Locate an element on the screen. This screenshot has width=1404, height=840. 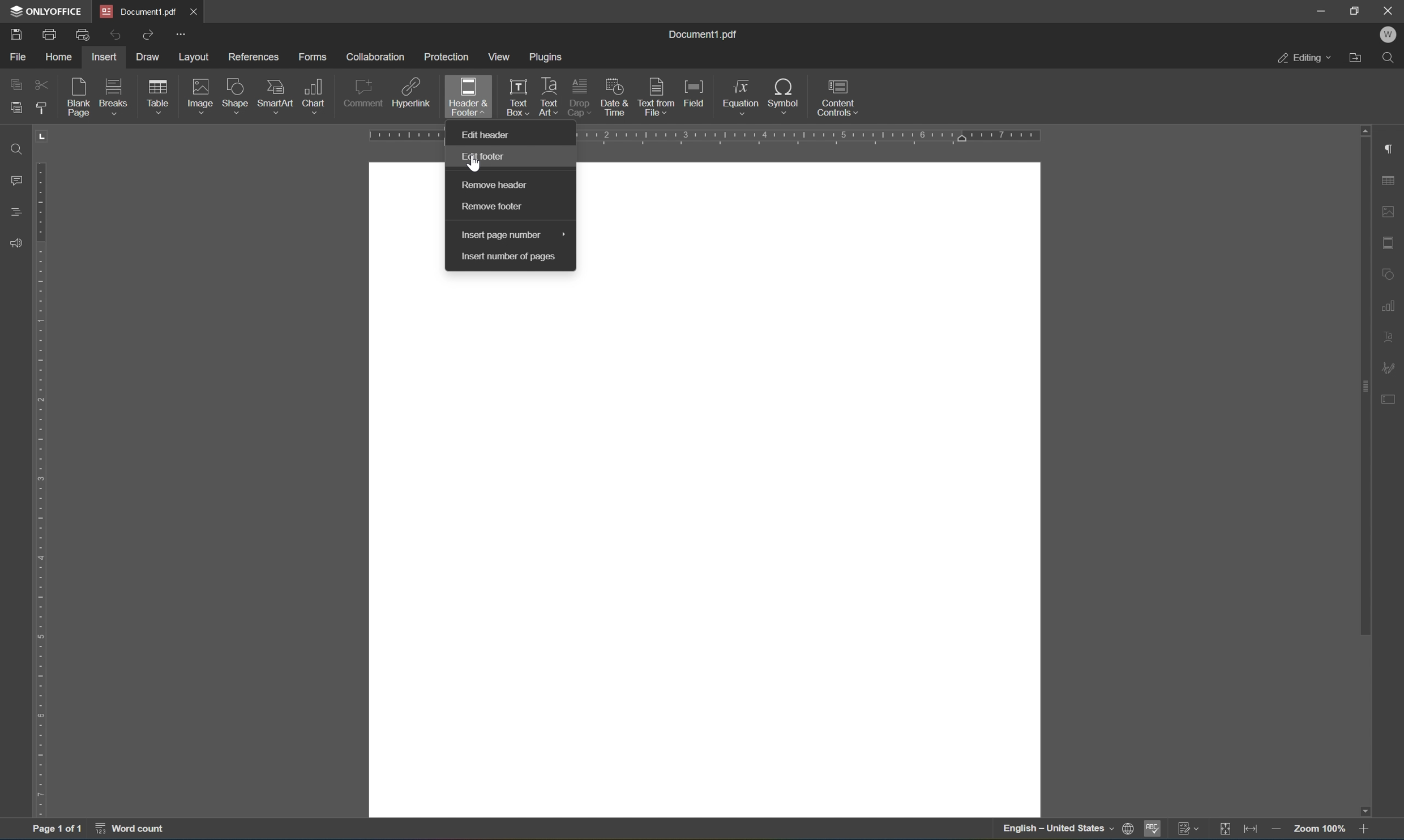
image settings is located at coordinates (1389, 209).